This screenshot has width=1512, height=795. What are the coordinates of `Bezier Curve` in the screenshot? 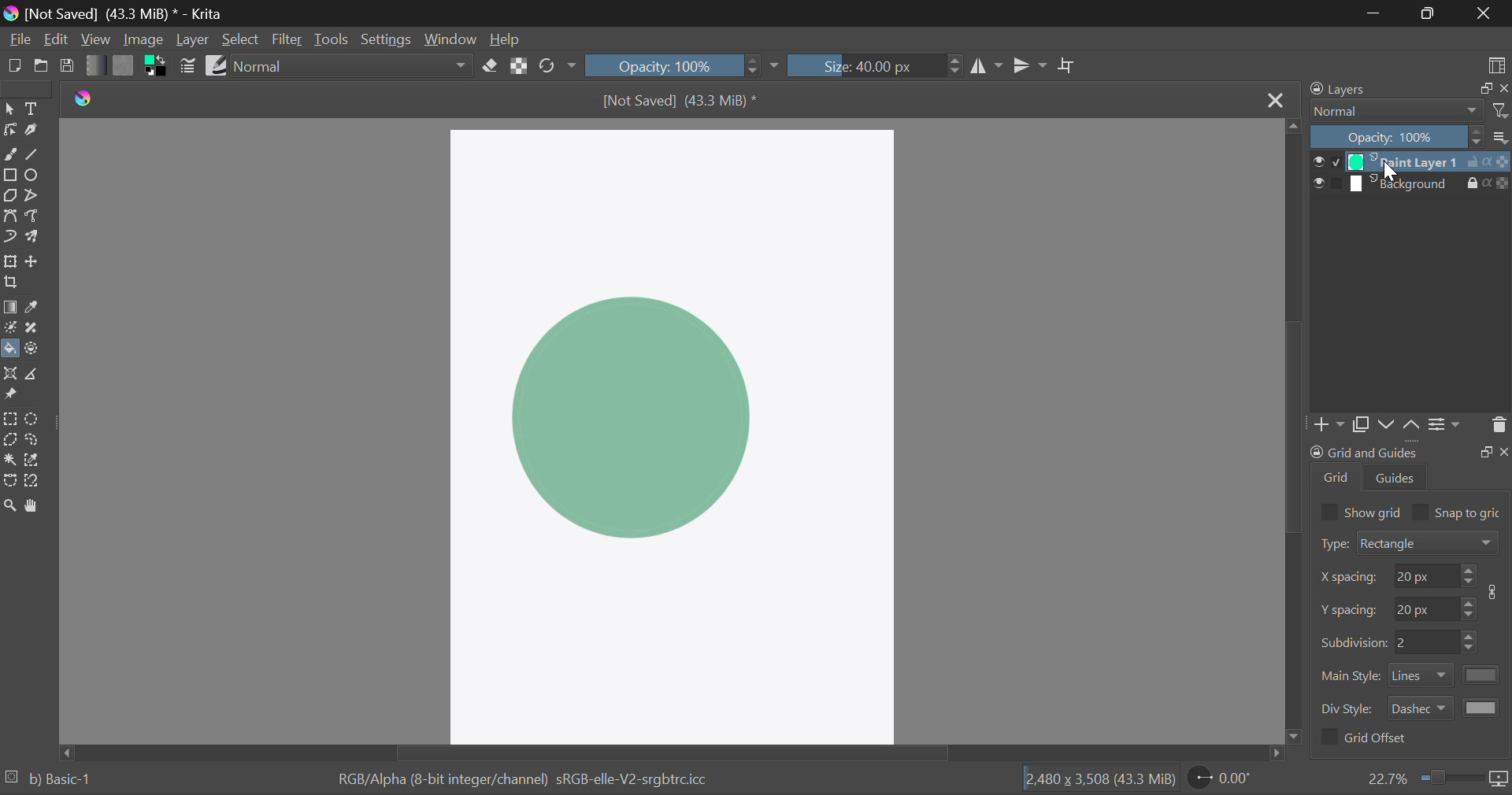 It's located at (10, 215).